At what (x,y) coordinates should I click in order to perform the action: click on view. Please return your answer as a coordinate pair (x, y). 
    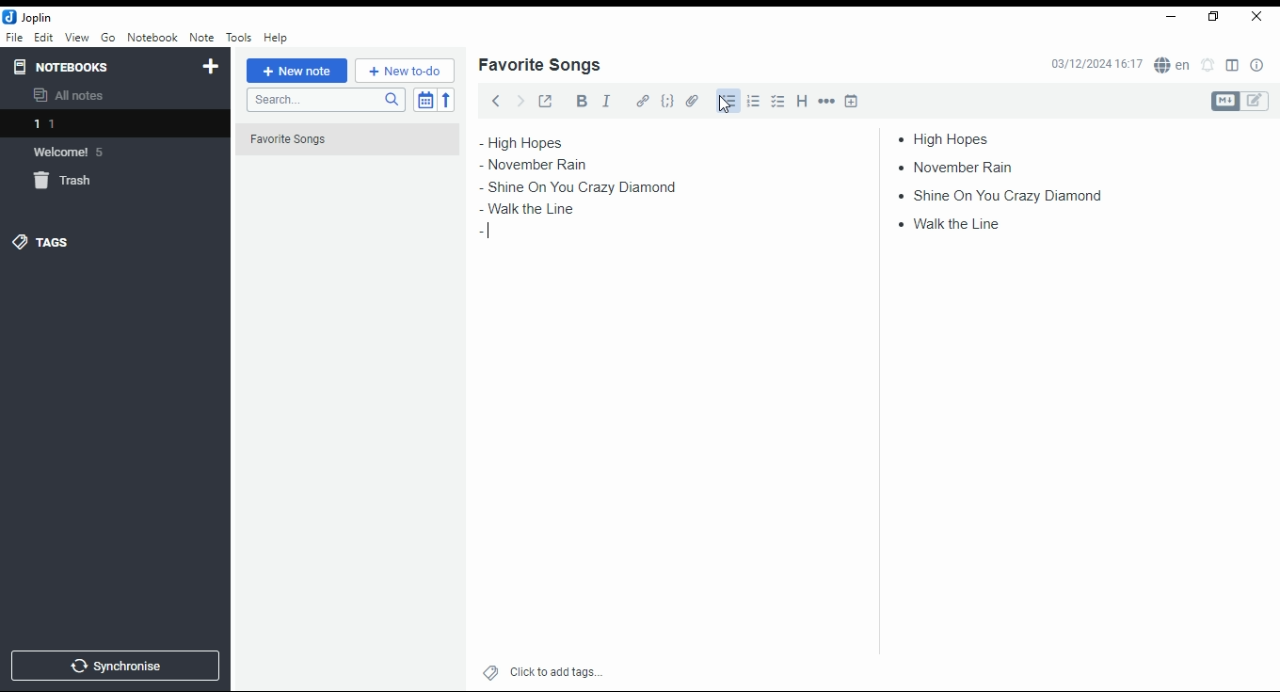
    Looking at the image, I should click on (77, 38).